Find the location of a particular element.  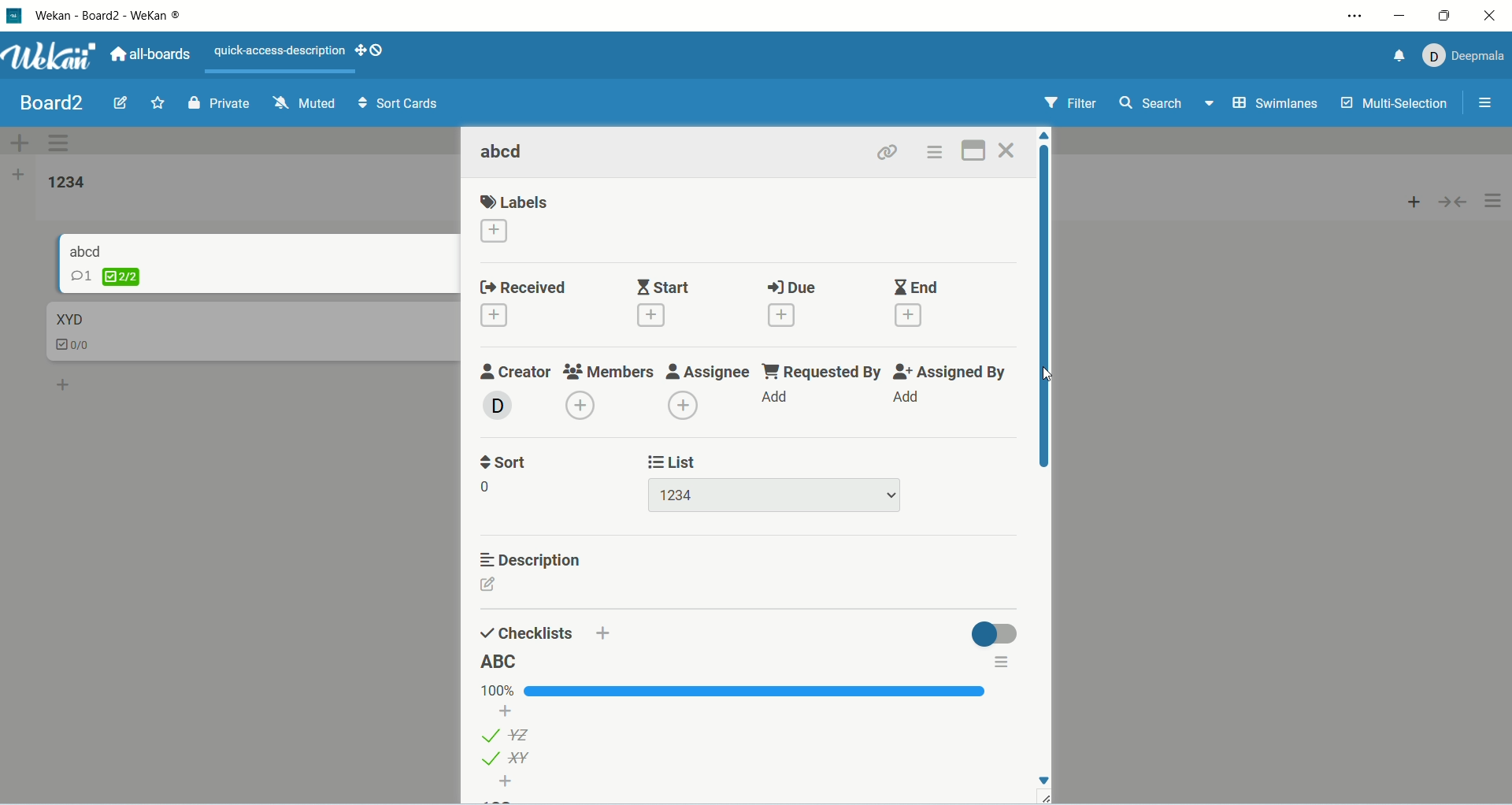

add is located at coordinates (504, 783).